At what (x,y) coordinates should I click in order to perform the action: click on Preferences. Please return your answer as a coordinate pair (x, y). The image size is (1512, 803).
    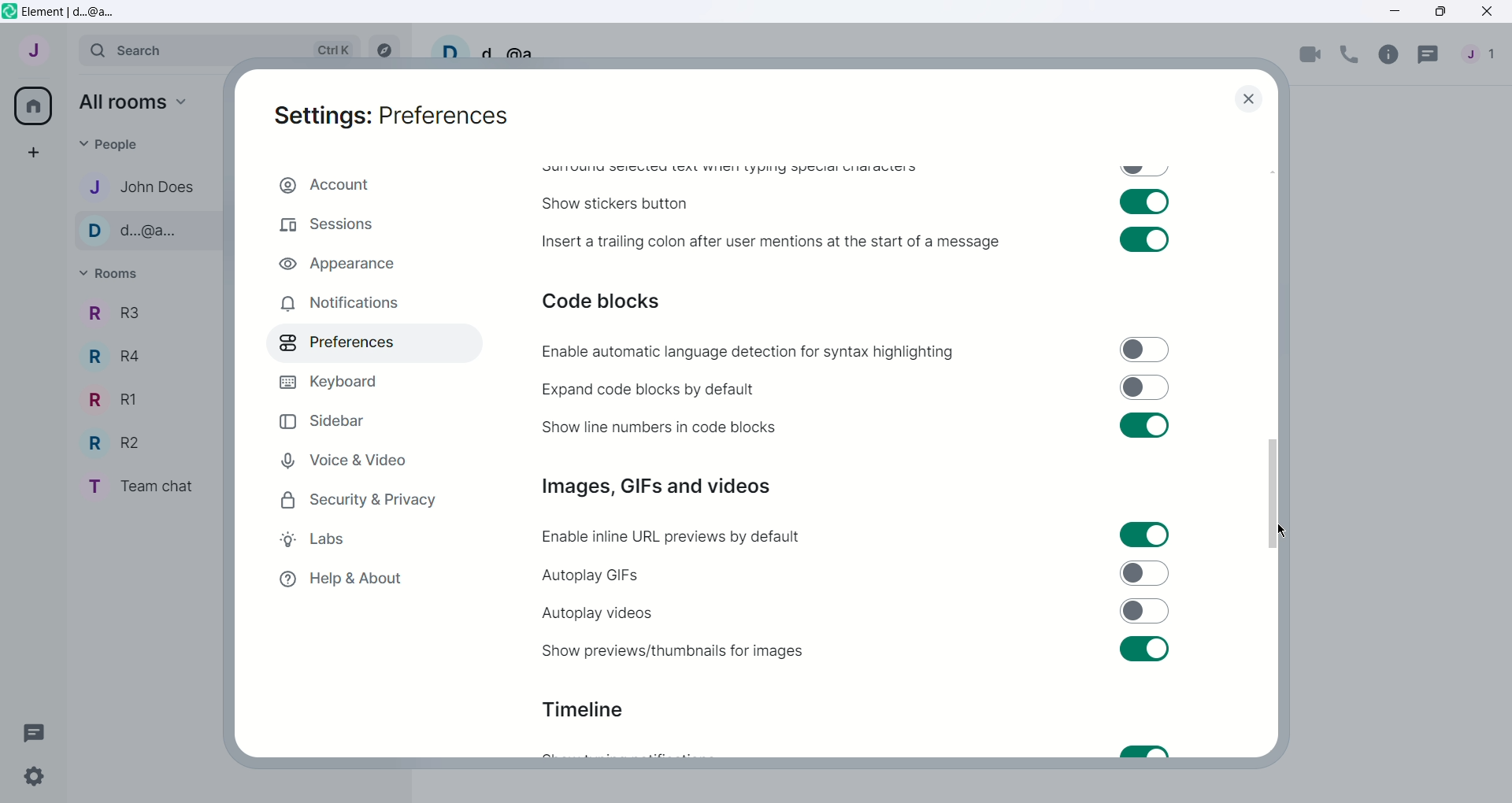
    Looking at the image, I should click on (366, 344).